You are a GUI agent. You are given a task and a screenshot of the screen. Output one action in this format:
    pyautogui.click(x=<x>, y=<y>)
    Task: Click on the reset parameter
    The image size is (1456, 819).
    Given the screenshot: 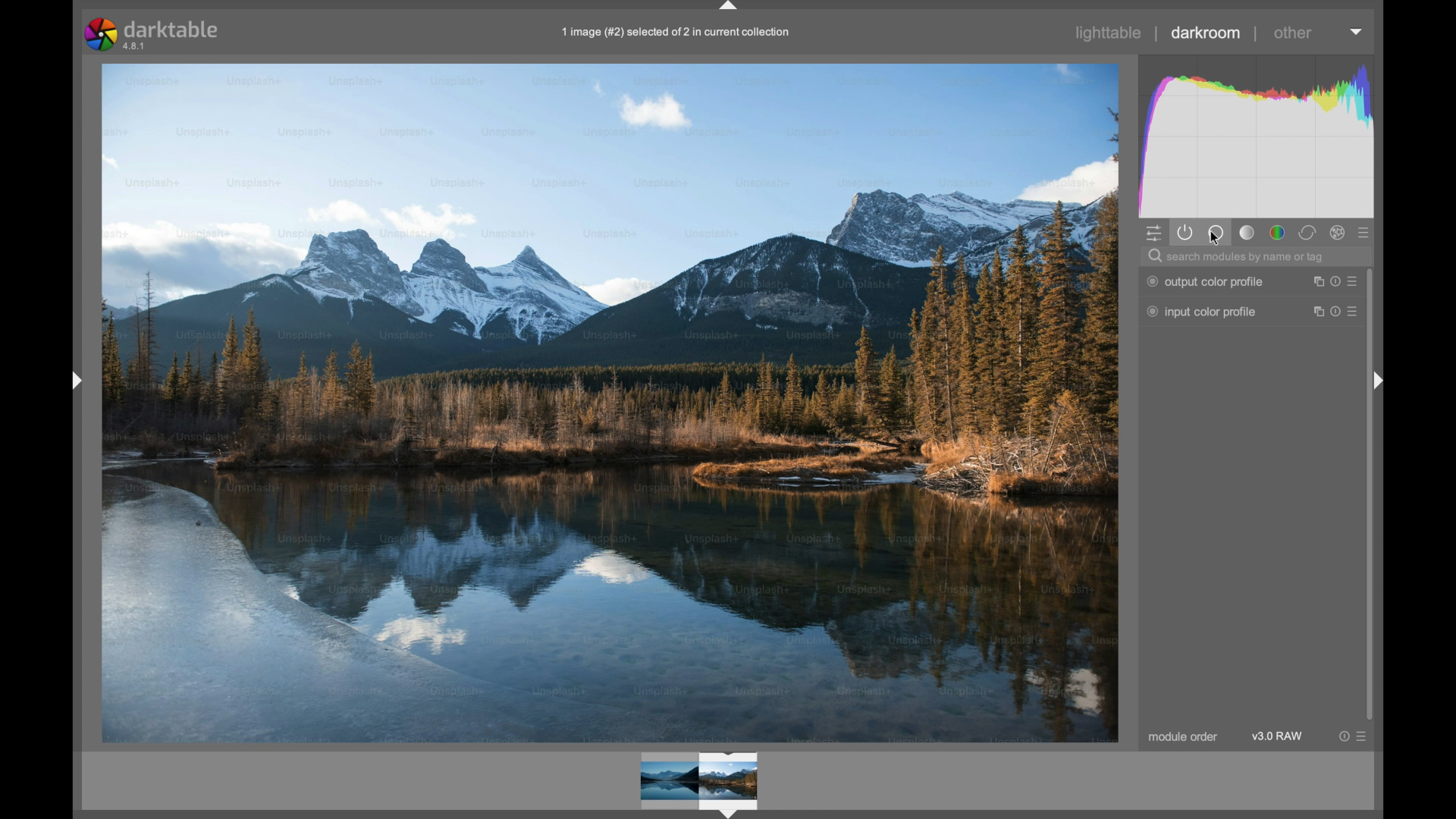 What is the action you would take?
    pyautogui.click(x=1335, y=281)
    